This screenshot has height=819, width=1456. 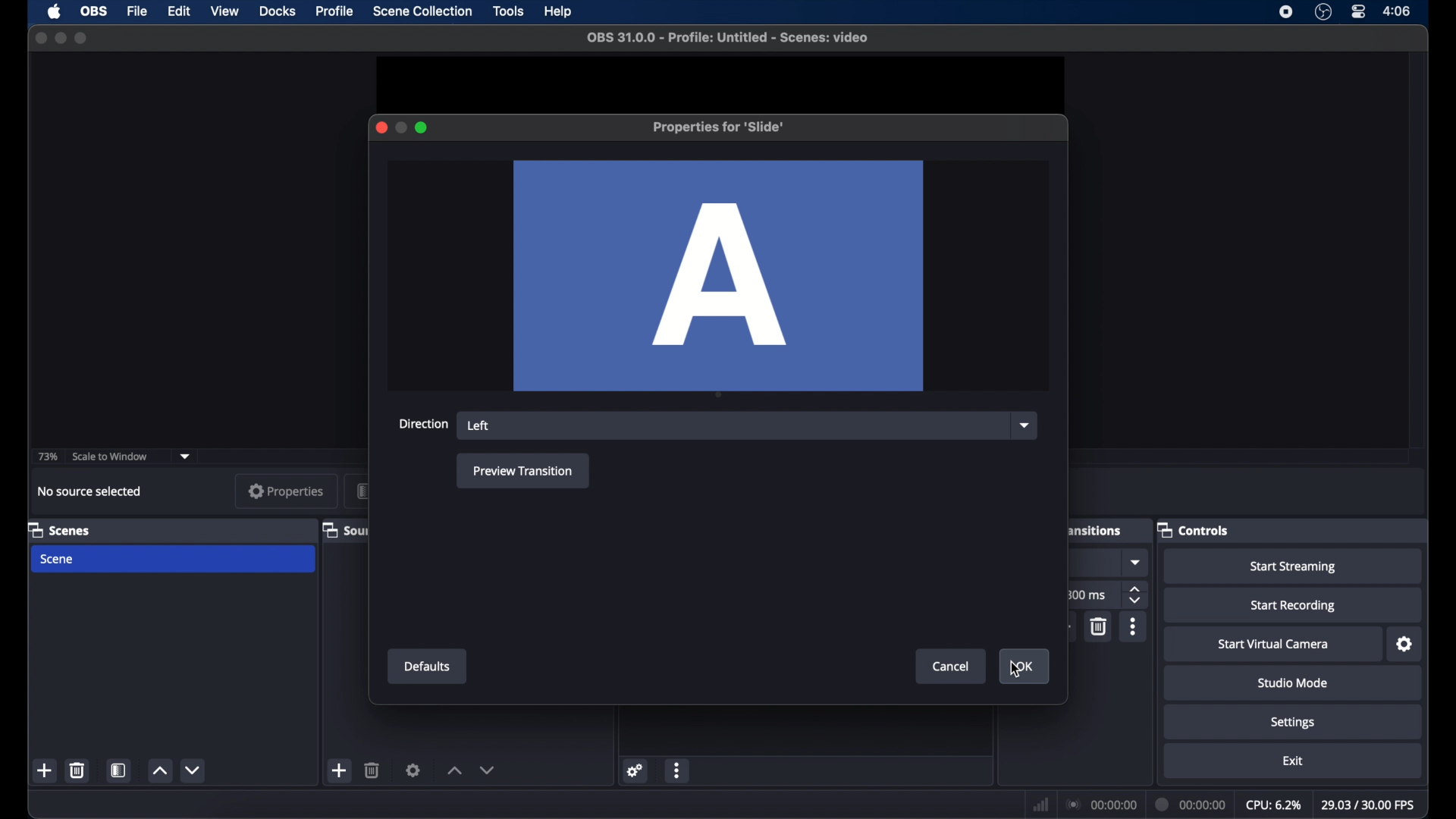 I want to click on A, so click(x=720, y=276).